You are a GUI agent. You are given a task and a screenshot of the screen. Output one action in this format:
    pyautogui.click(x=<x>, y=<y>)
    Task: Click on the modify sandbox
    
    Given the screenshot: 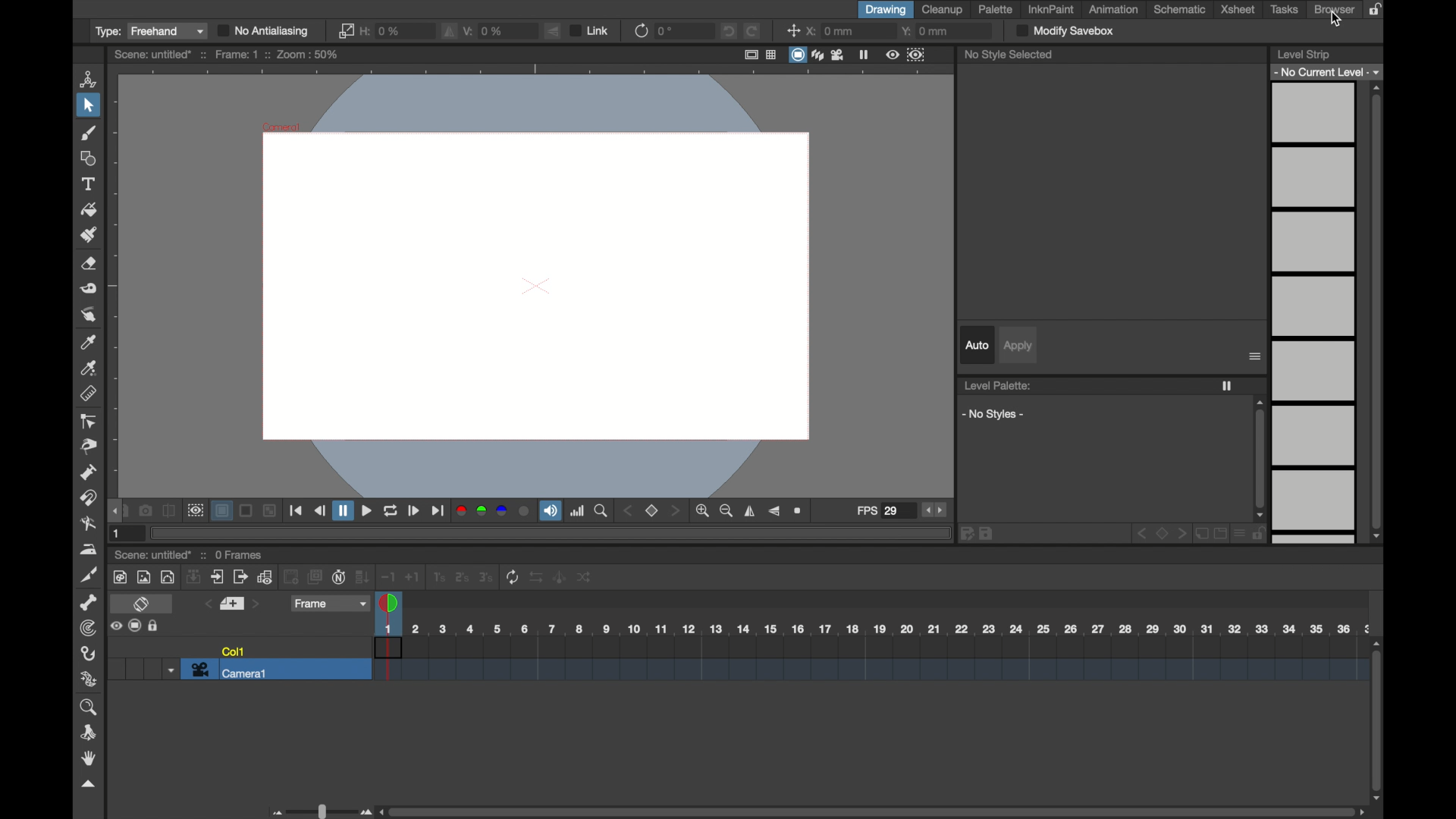 What is the action you would take?
    pyautogui.click(x=1066, y=30)
    